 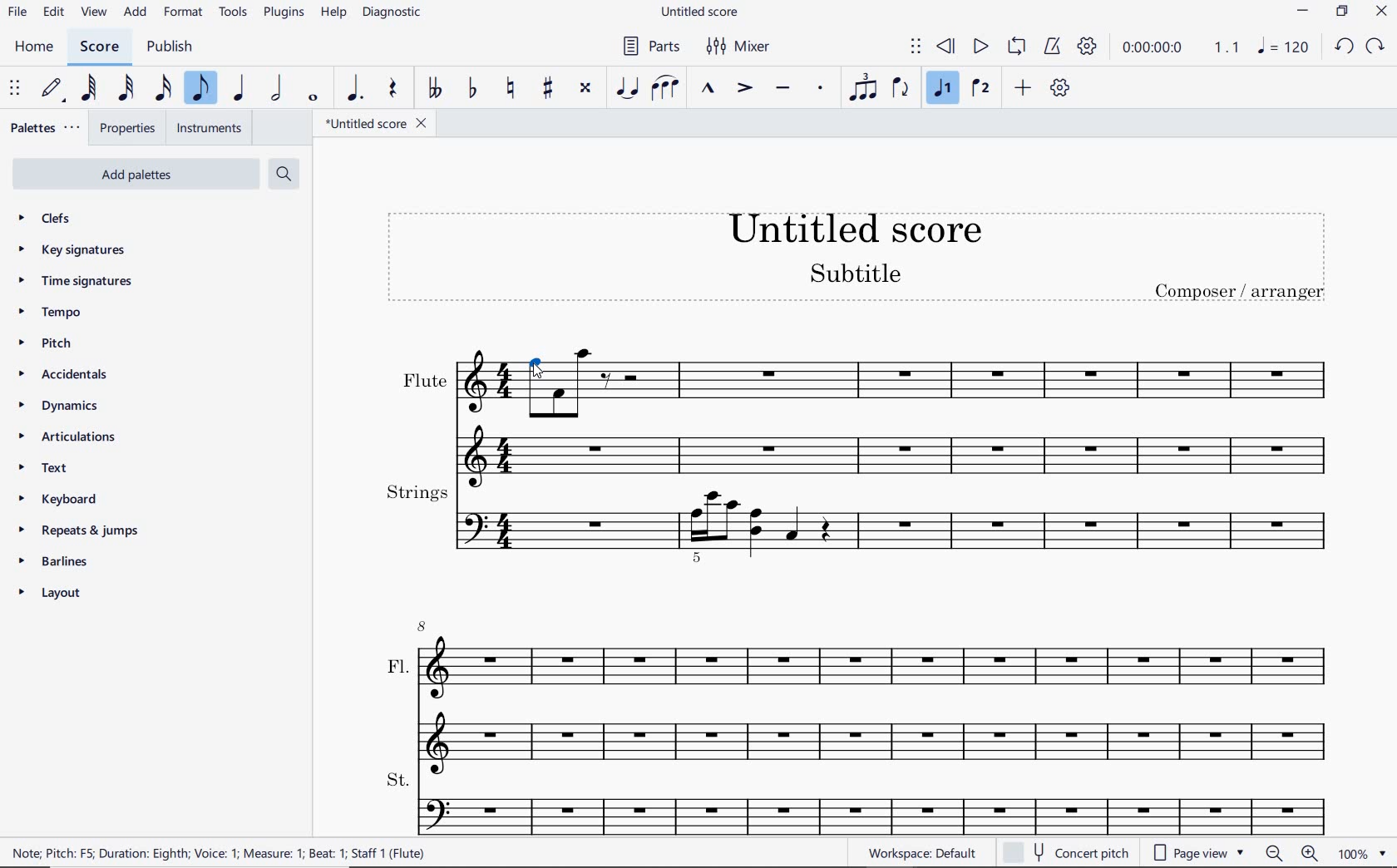 I want to click on file, so click(x=16, y=13).